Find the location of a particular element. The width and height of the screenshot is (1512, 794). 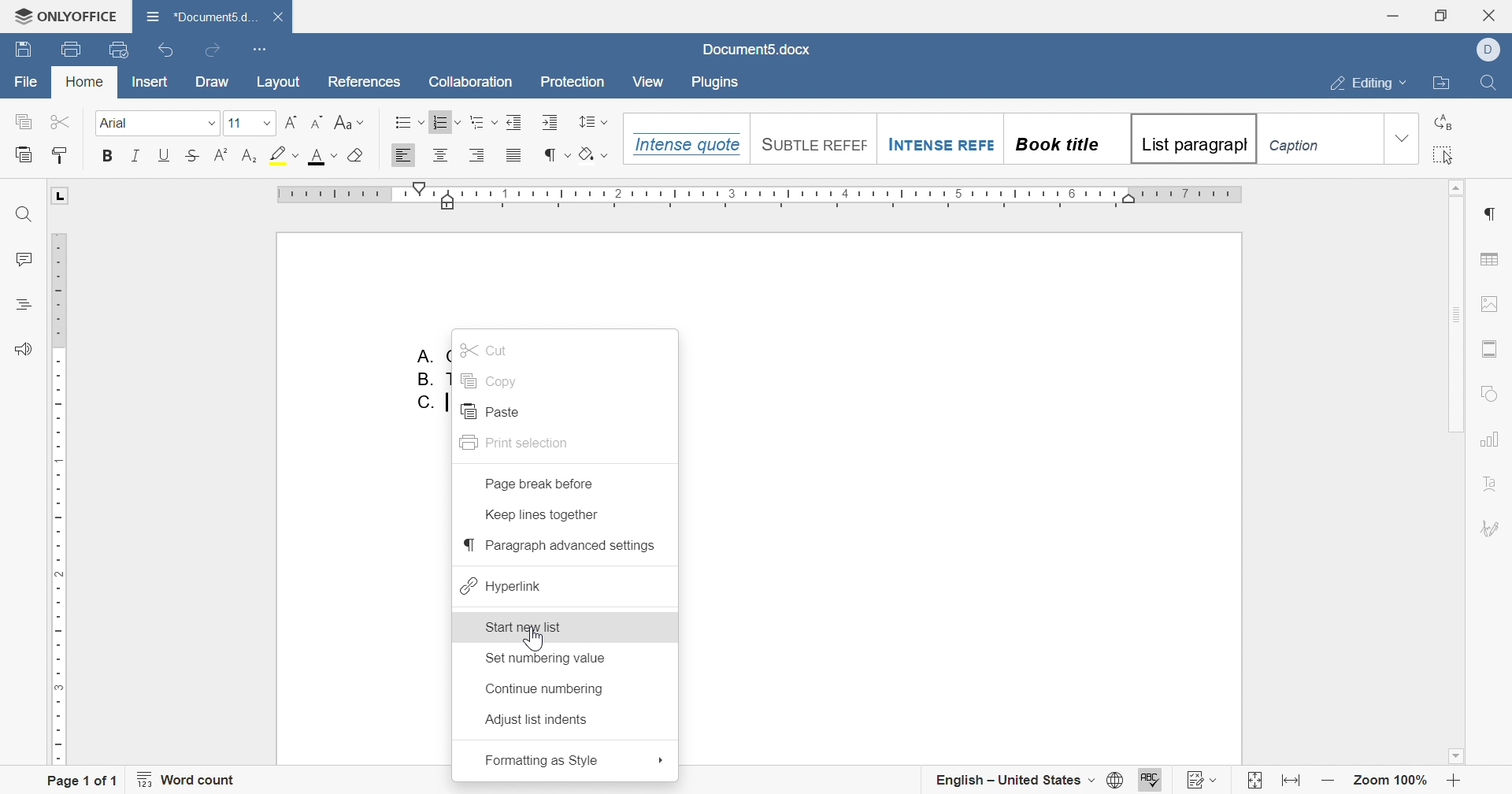

redo is located at coordinates (212, 51).